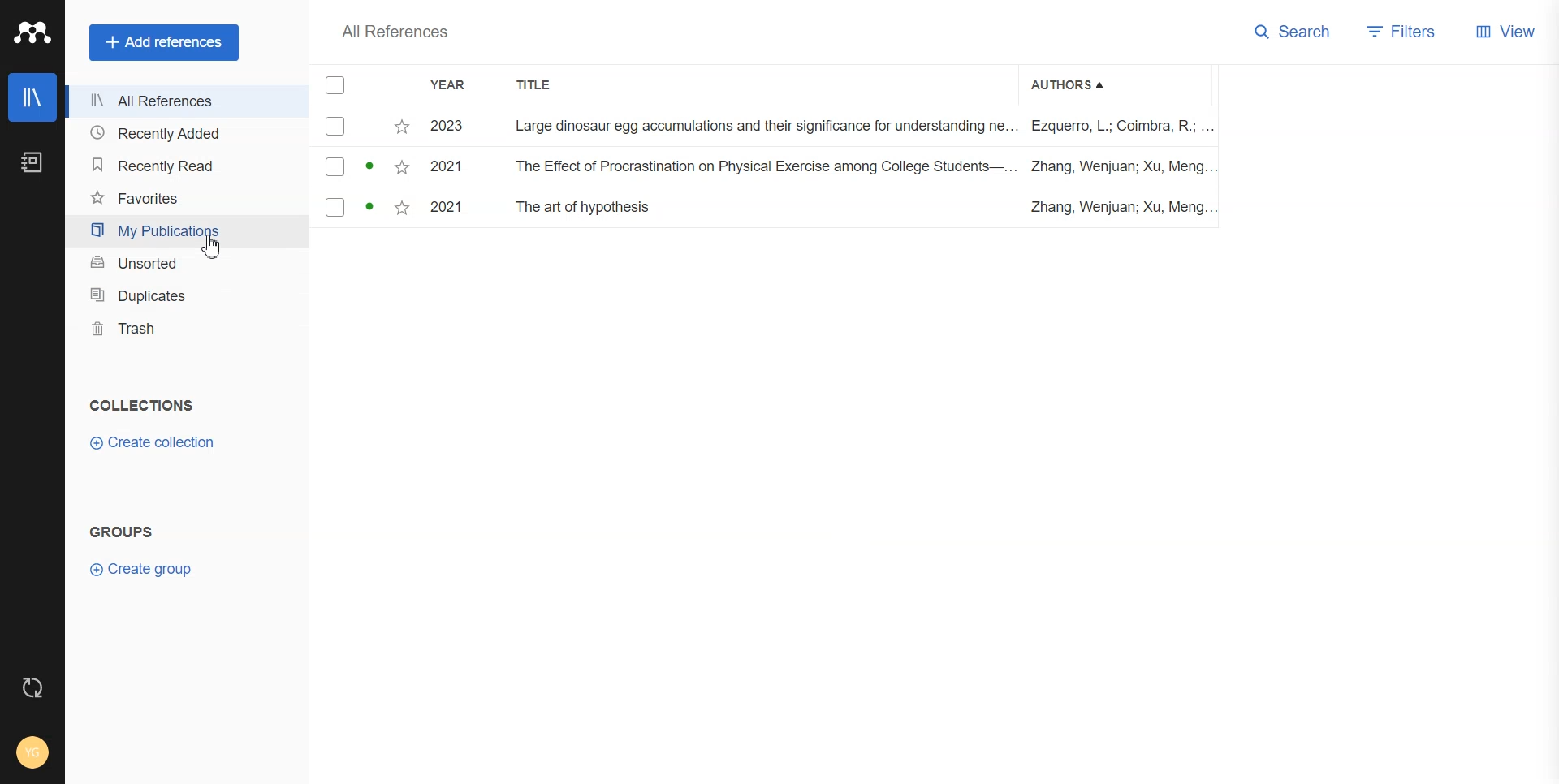 Image resolution: width=1559 pixels, height=784 pixels. I want to click on Favorites, so click(399, 209).